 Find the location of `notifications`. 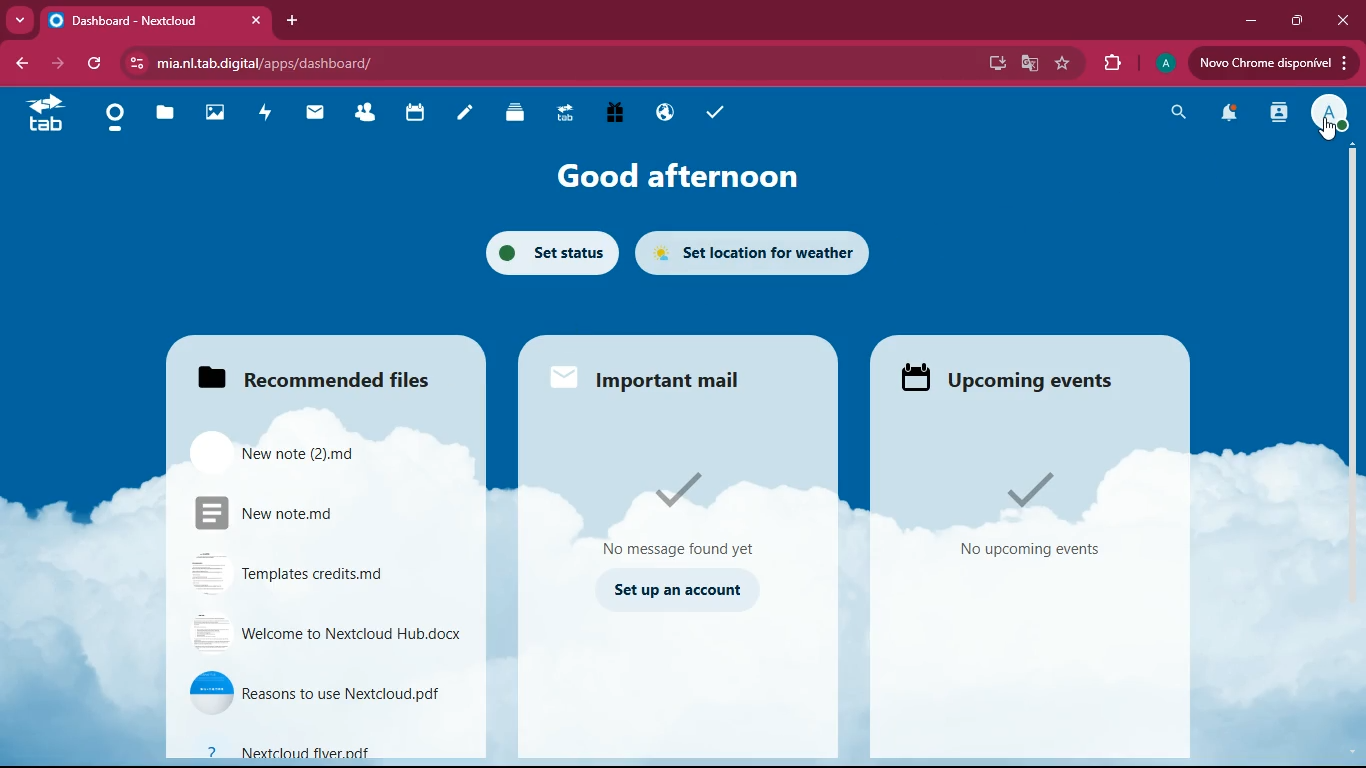

notifications is located at coordinates (1225, 115).